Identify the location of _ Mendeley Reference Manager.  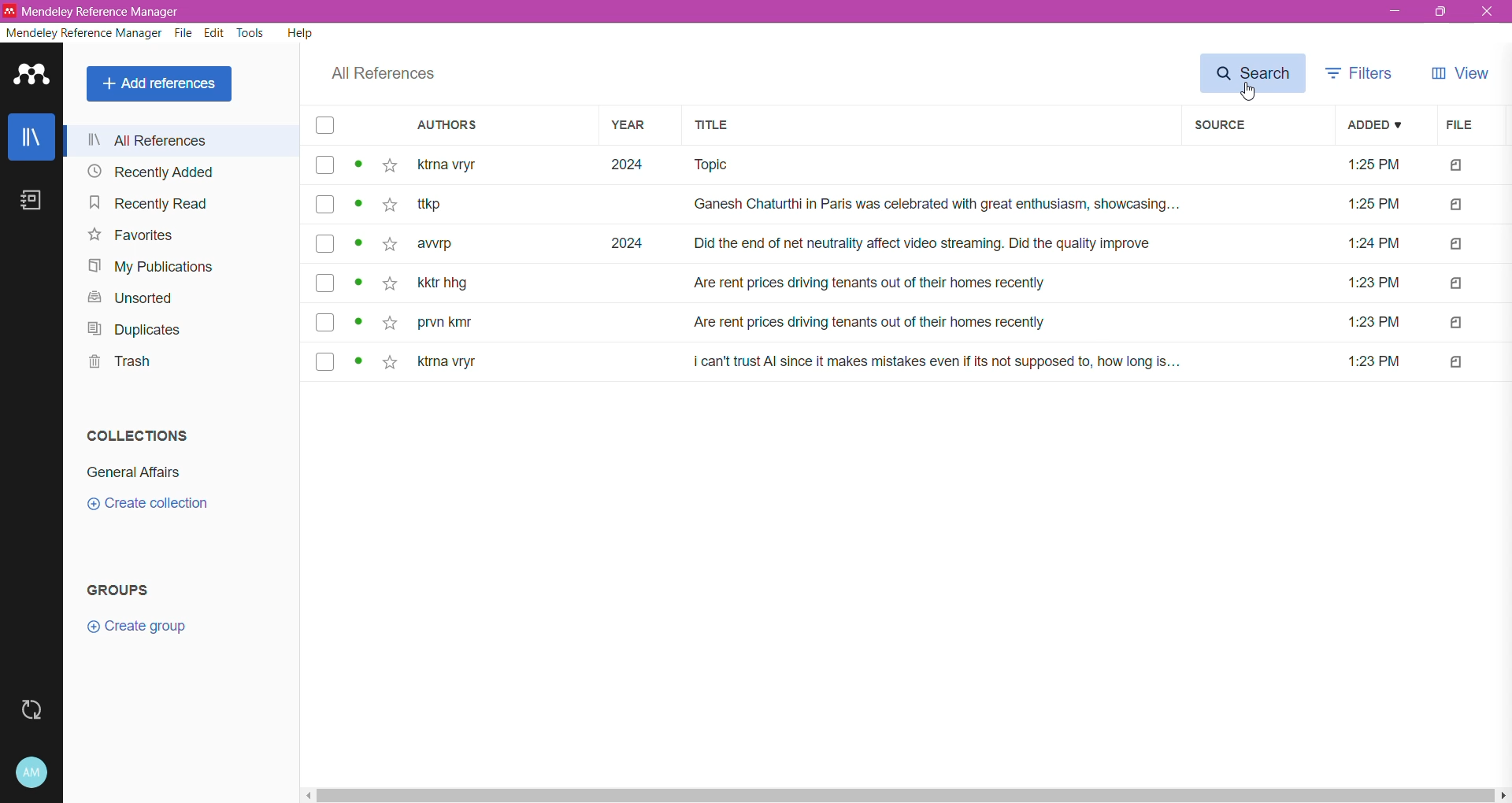
(95, 9).